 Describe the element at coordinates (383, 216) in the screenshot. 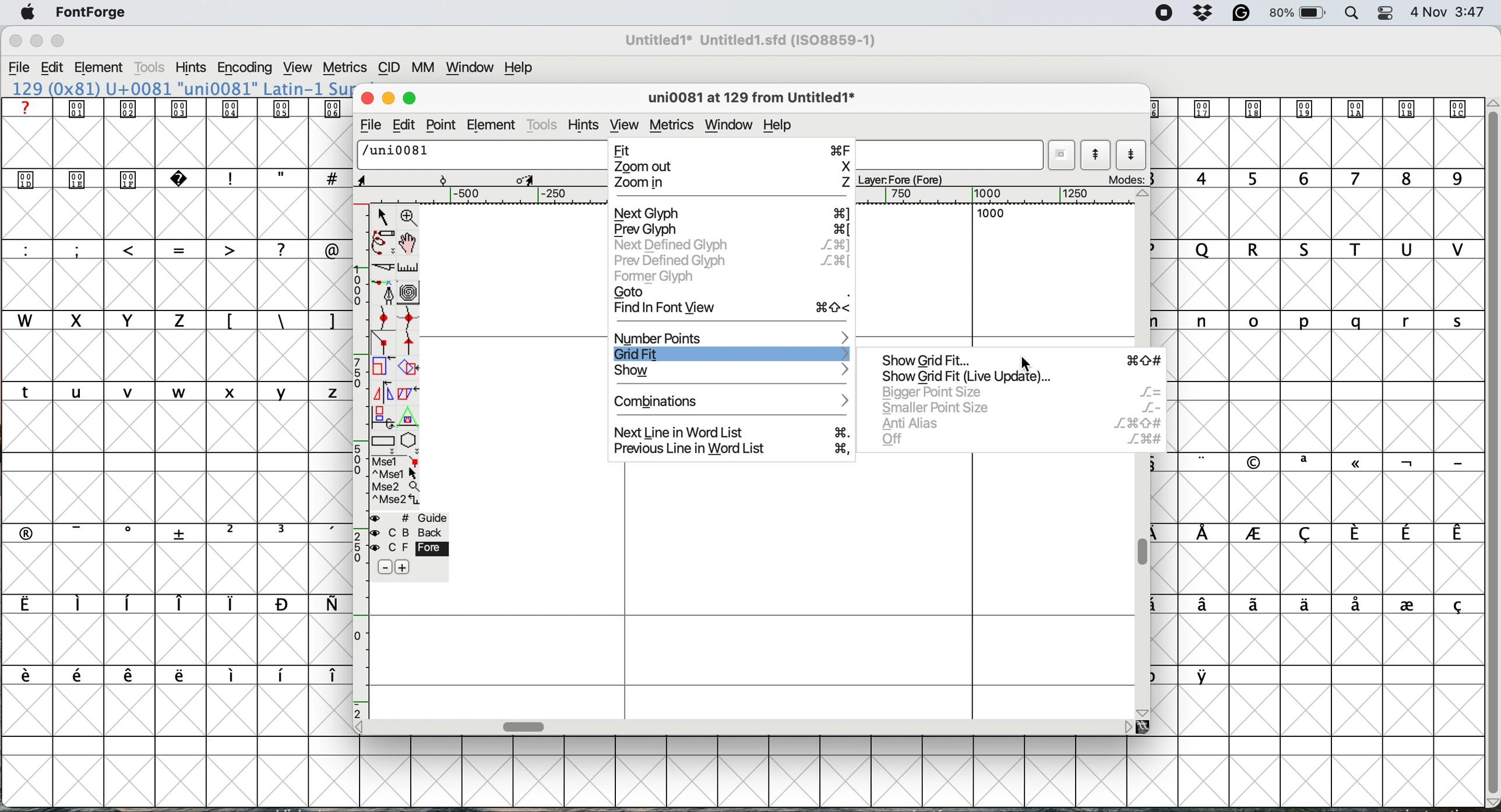

I see `selector` at that location.